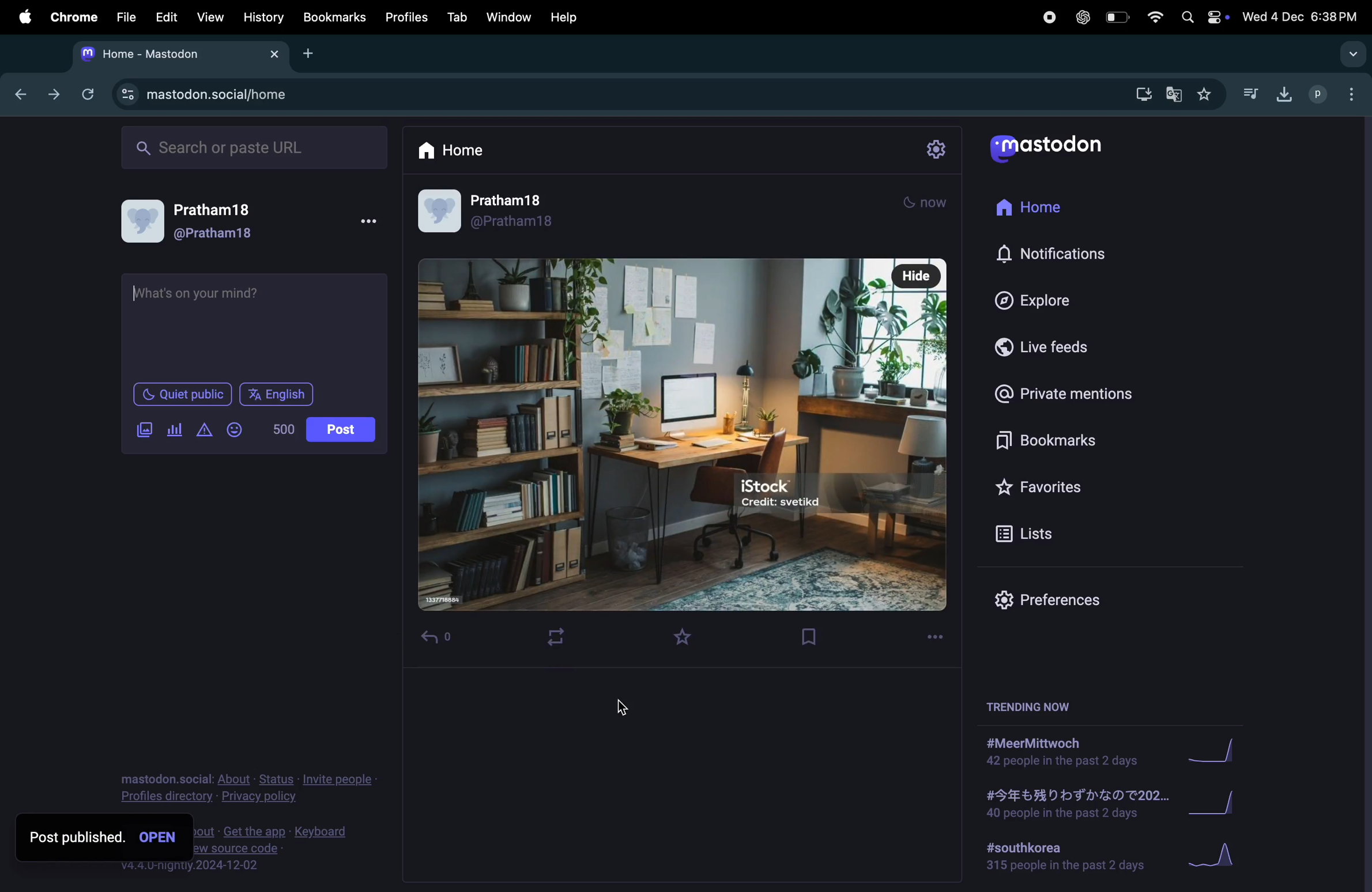 The height and width of the screenshot is (892, 1372). What do you see at coordinates (332, 17) in the screenshot?
I see `book marks` at bounding box center [332, 17].